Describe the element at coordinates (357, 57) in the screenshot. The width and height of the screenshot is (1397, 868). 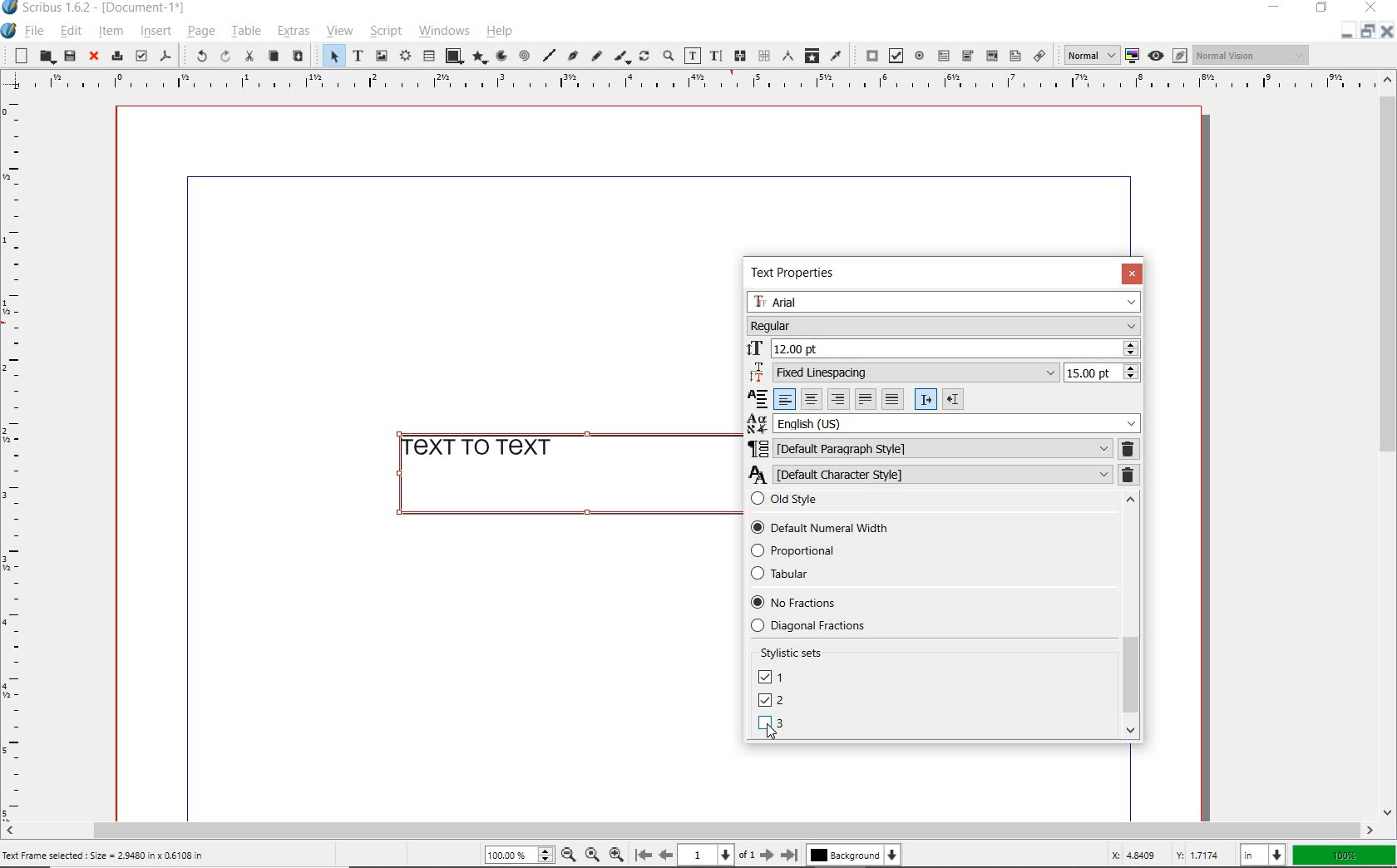
I see `text frame` at that location.